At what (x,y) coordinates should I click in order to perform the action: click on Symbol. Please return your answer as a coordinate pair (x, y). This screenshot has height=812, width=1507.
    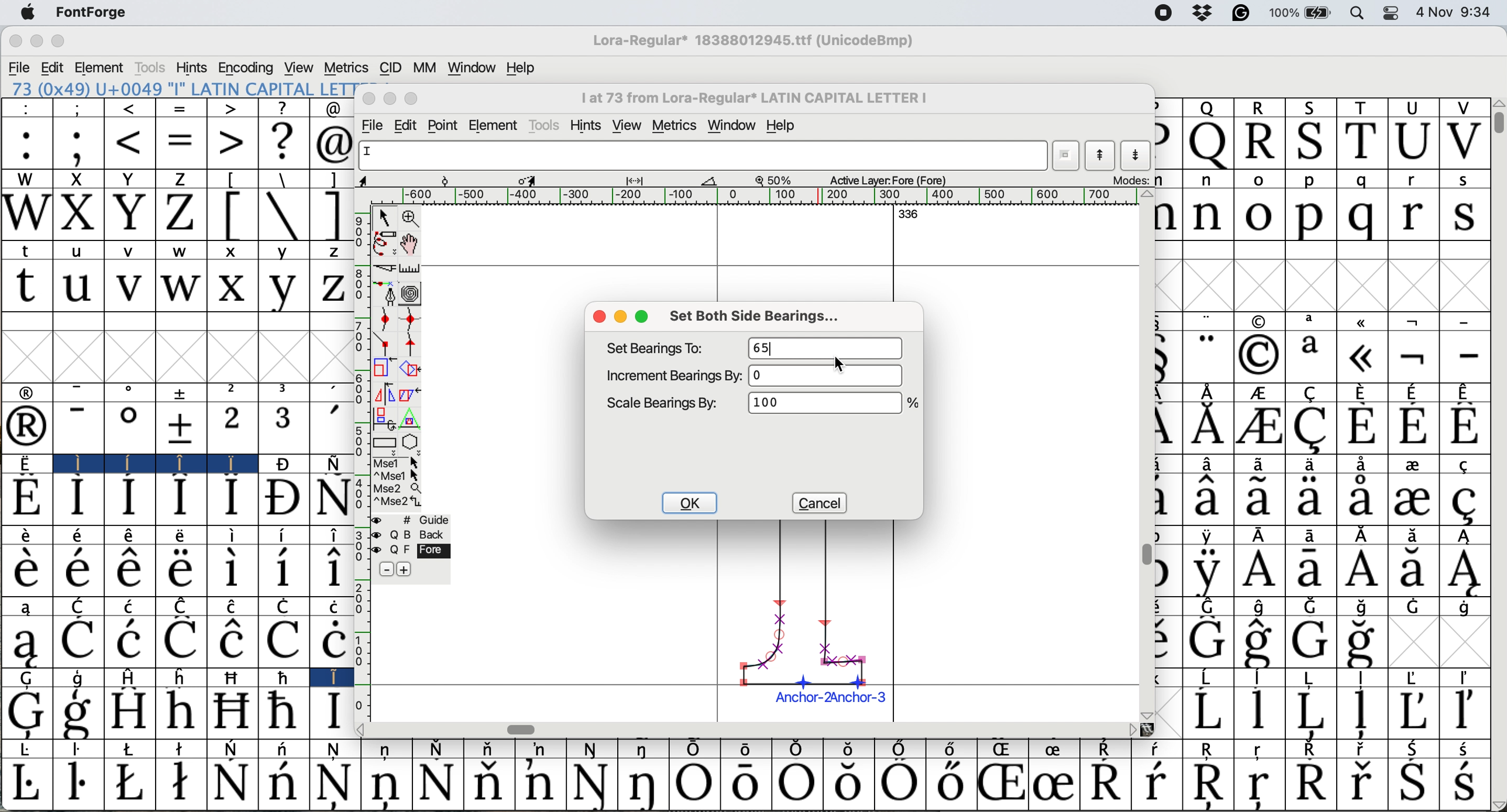
    Looking at the image, I should click on (334, 462).